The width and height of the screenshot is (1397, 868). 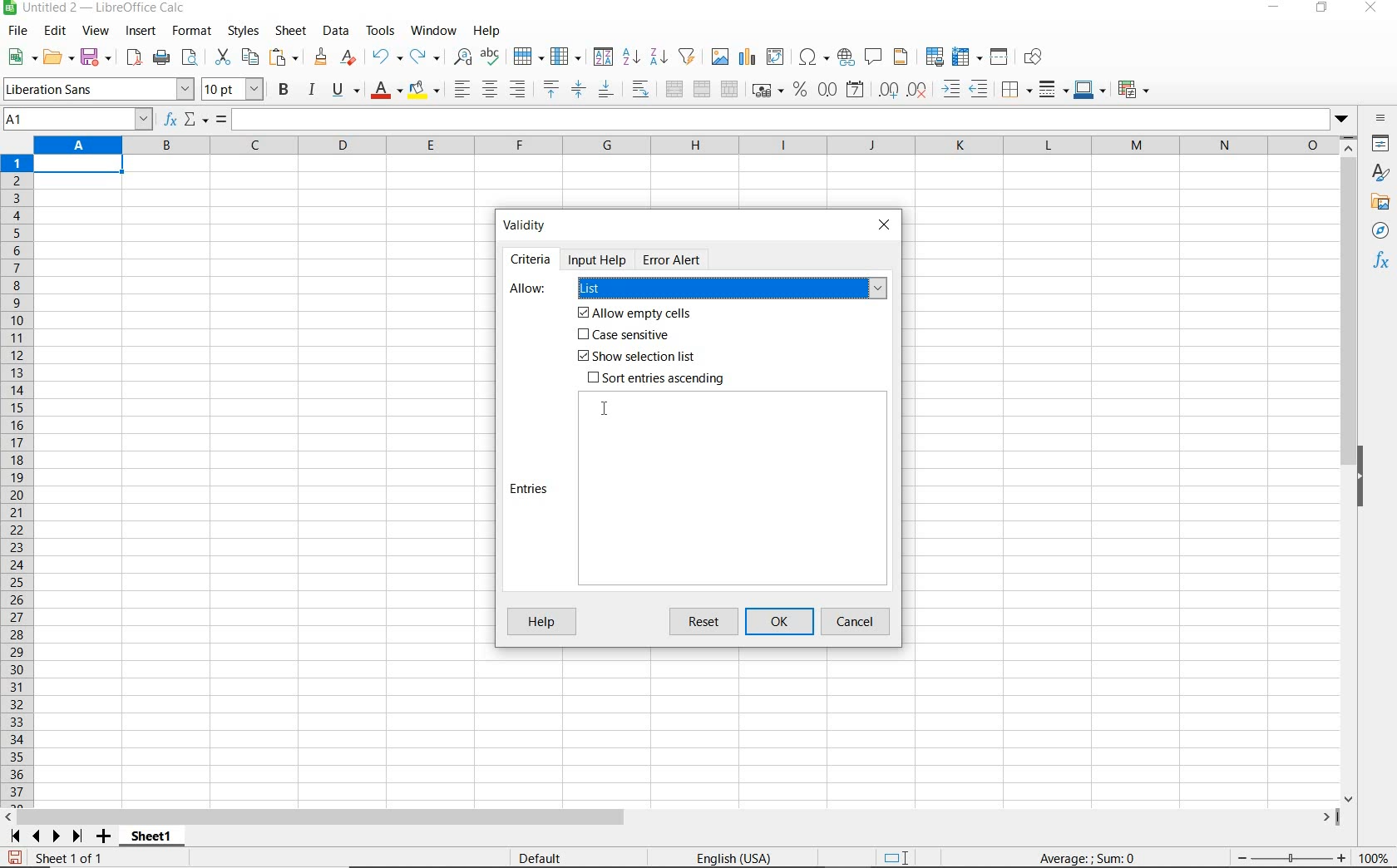 I want to click on increase indent, so click(x=952, y=89).